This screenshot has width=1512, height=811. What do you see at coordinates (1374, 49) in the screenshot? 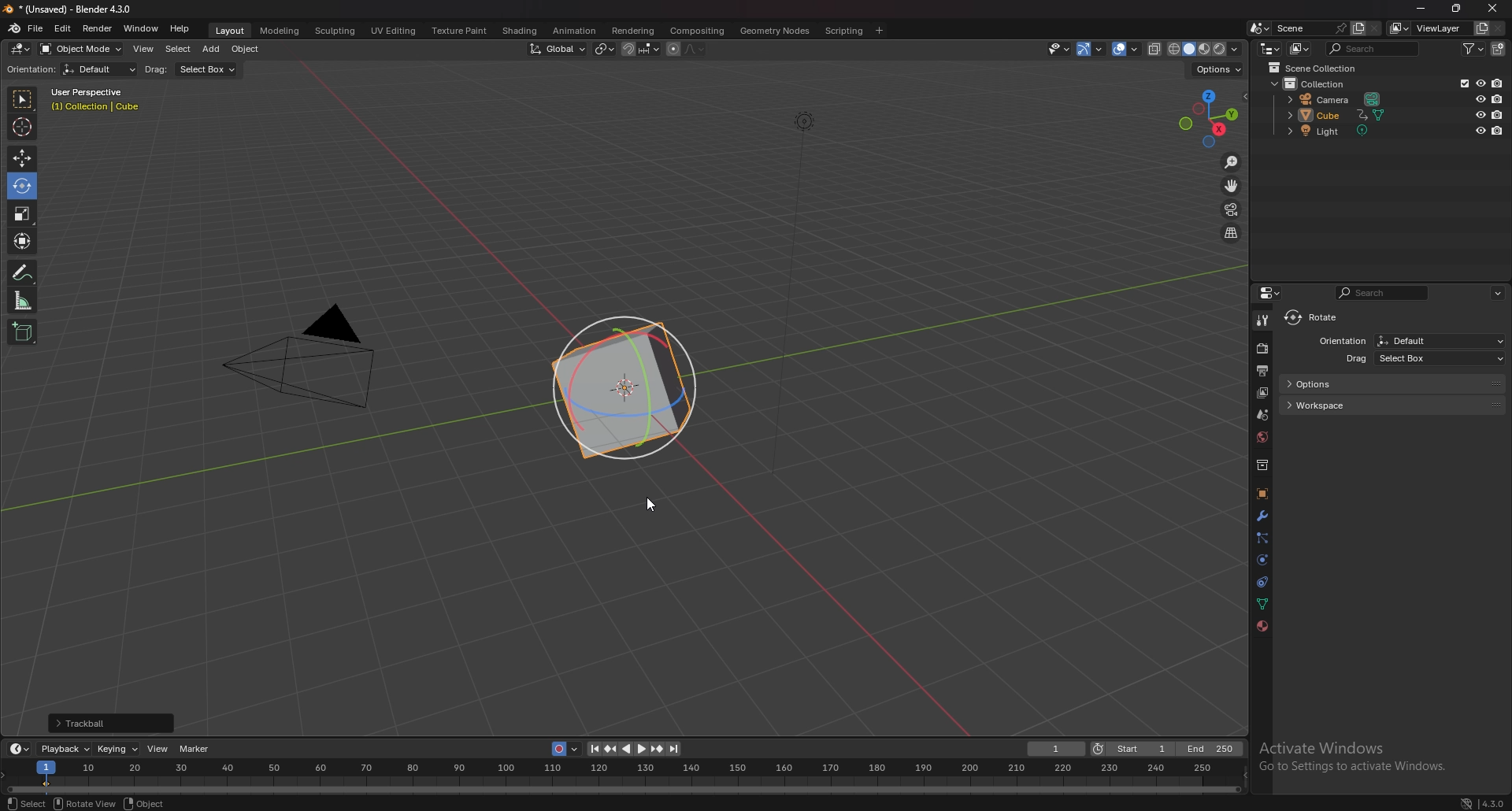
I see `search` at bounding box center [1374, 49].